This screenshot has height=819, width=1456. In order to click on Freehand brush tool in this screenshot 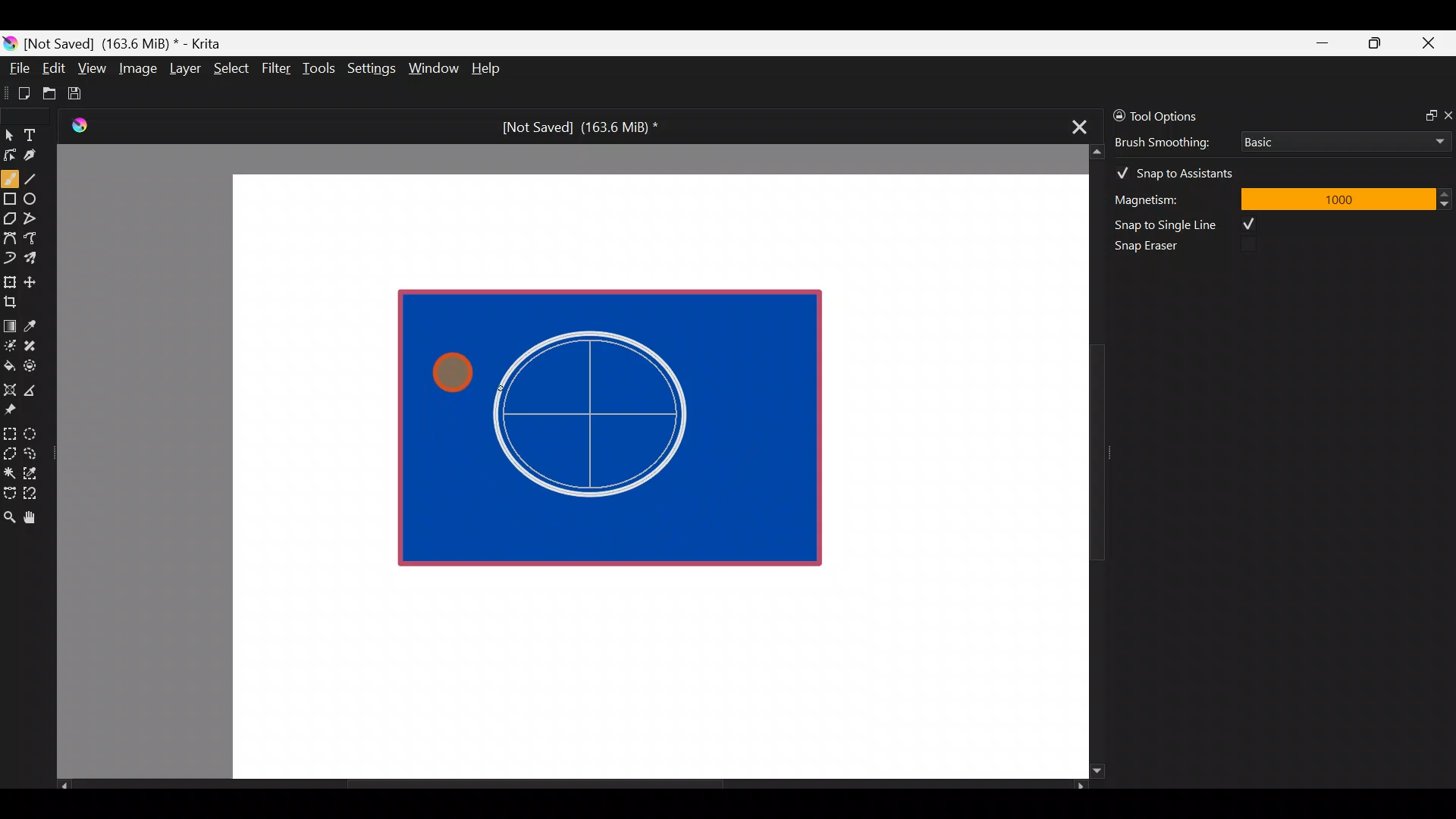, I will do `click(10, 173)`.